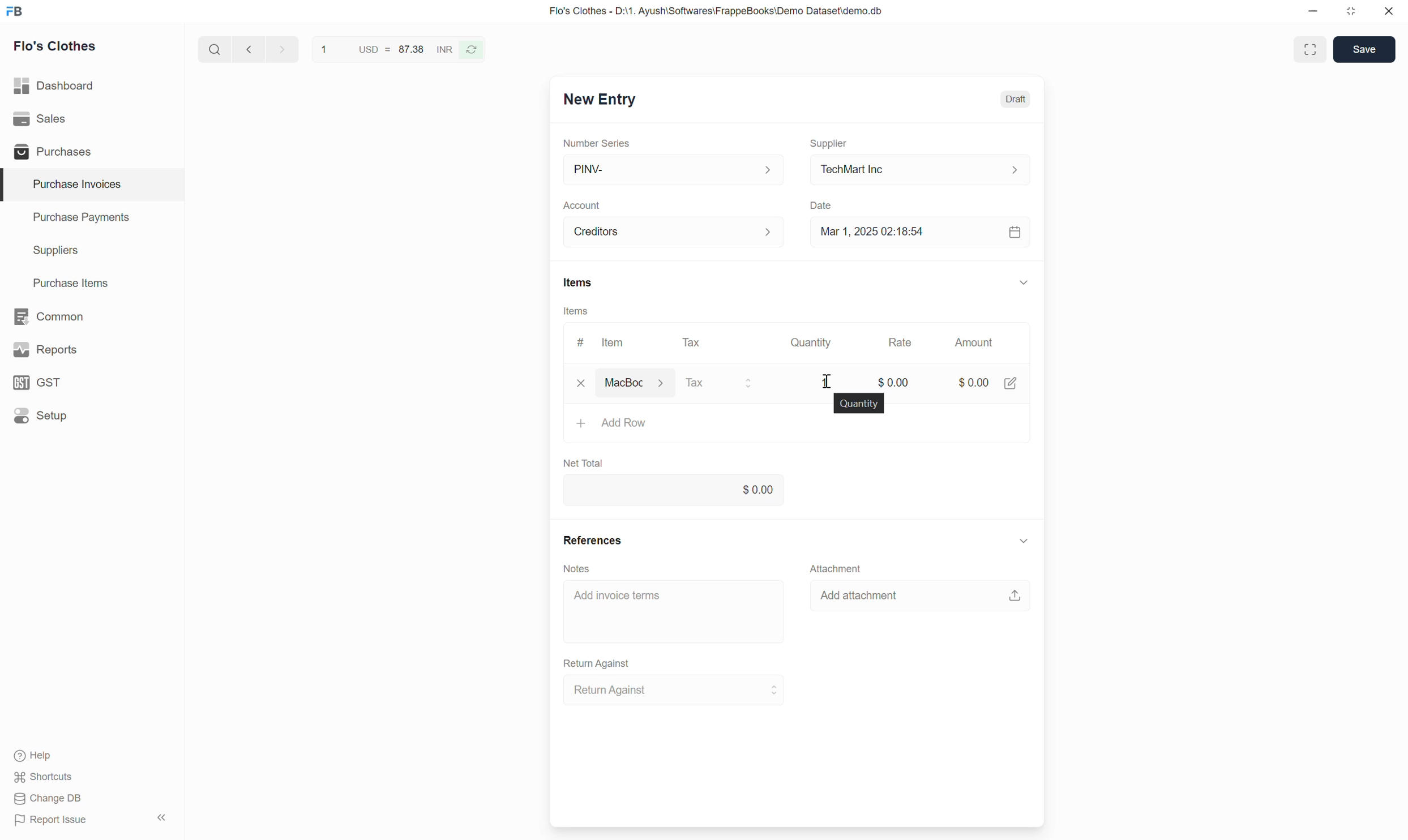 Image resolution: width=1408 pixels, height=840 pixels. I want to click on Add attachment, so click(920, 594).